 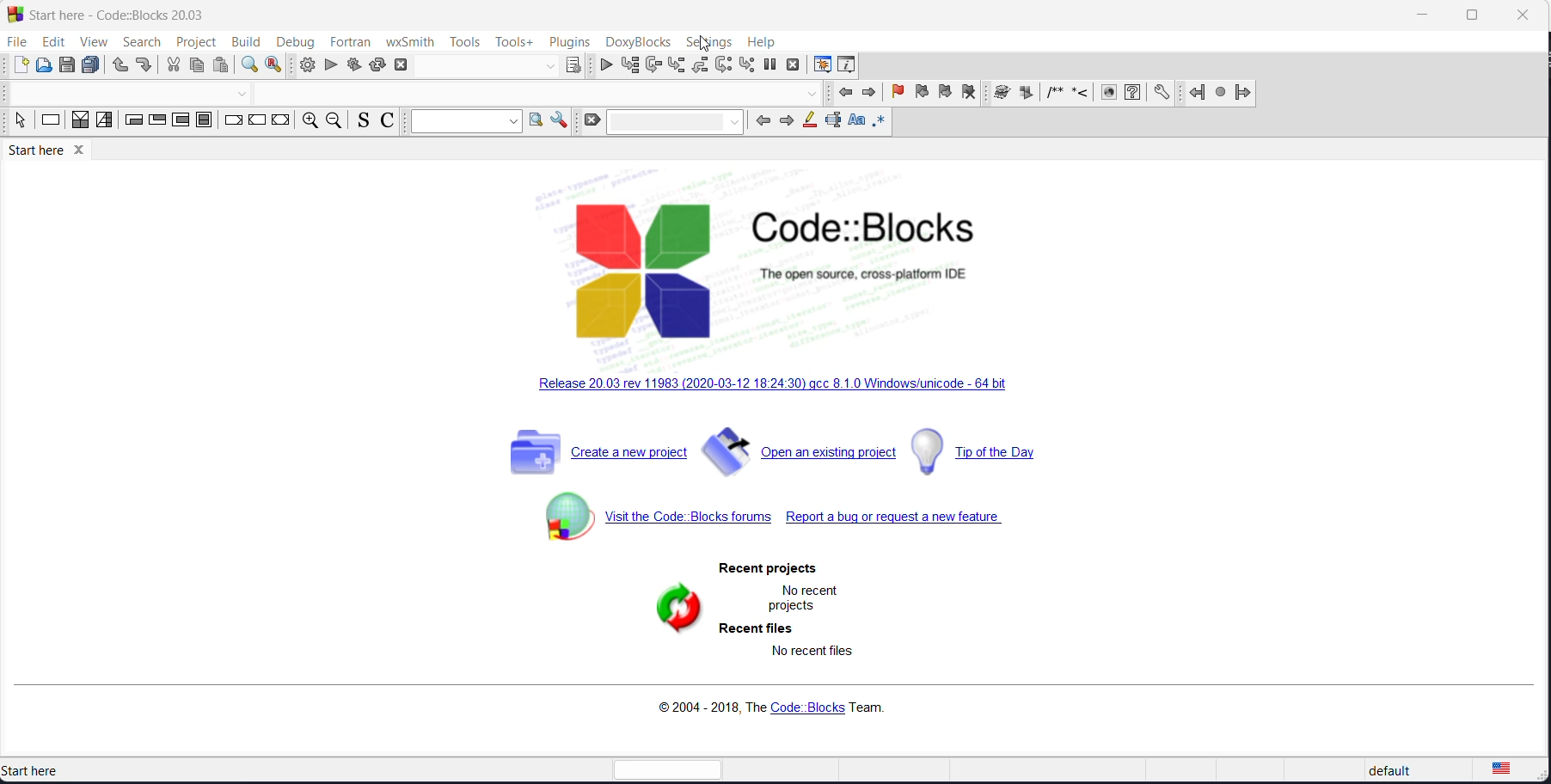 I want to click on dropdown, so click(x=468, y=121).